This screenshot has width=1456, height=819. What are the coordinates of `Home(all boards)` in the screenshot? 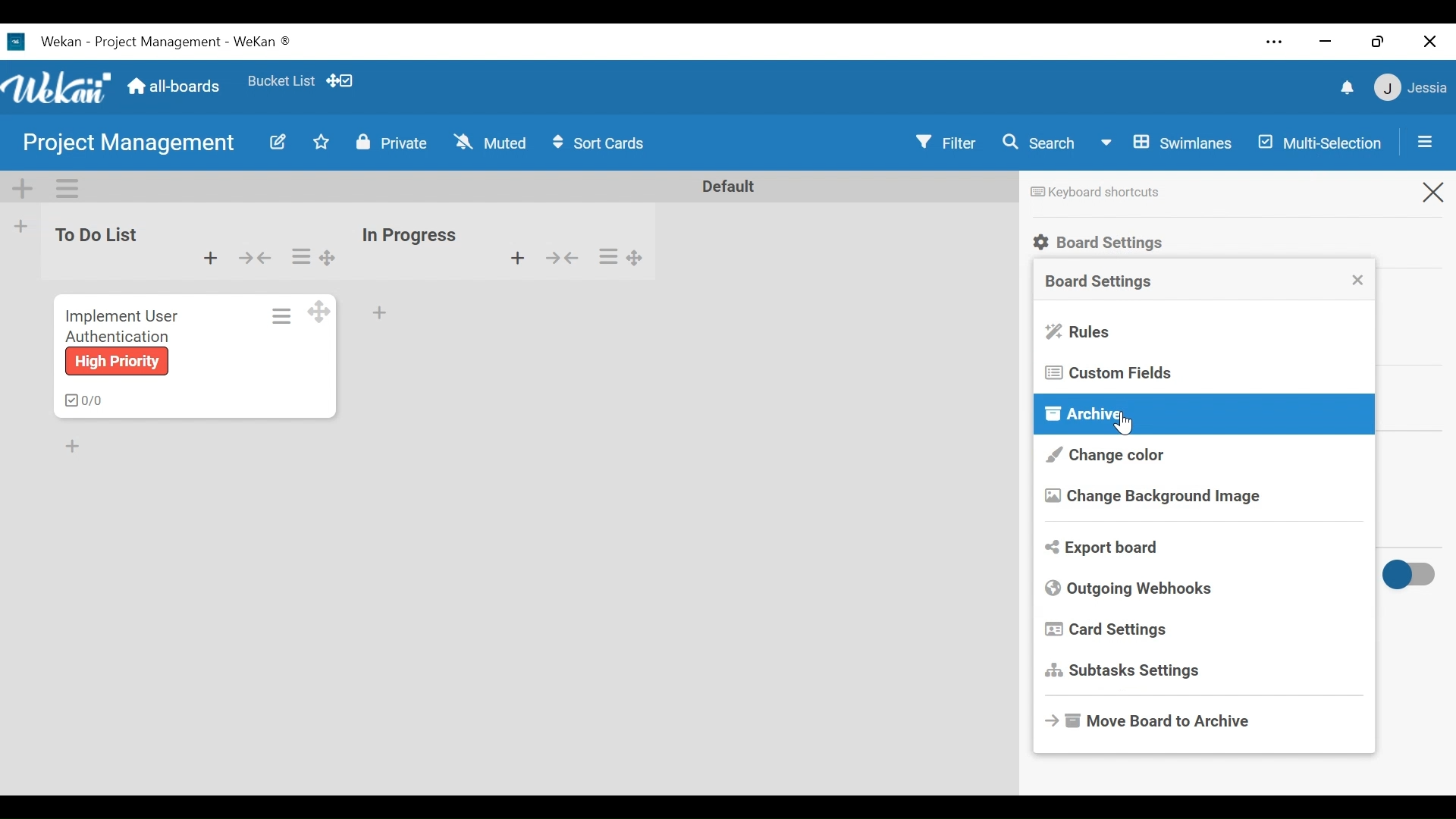 It's located at (175, 82).